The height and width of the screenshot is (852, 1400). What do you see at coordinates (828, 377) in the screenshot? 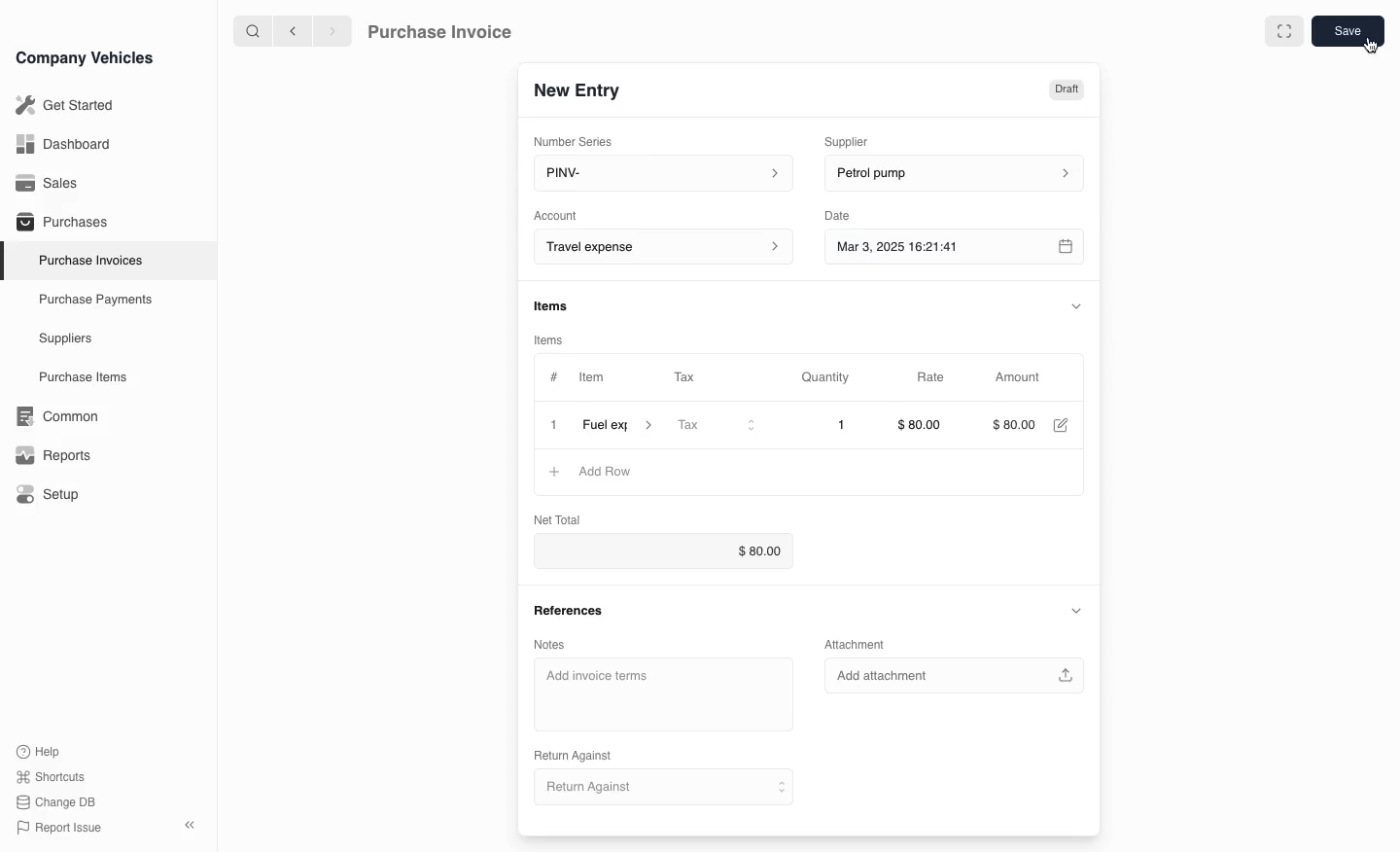
I see `Quantity` at bounding box center [828, 377].